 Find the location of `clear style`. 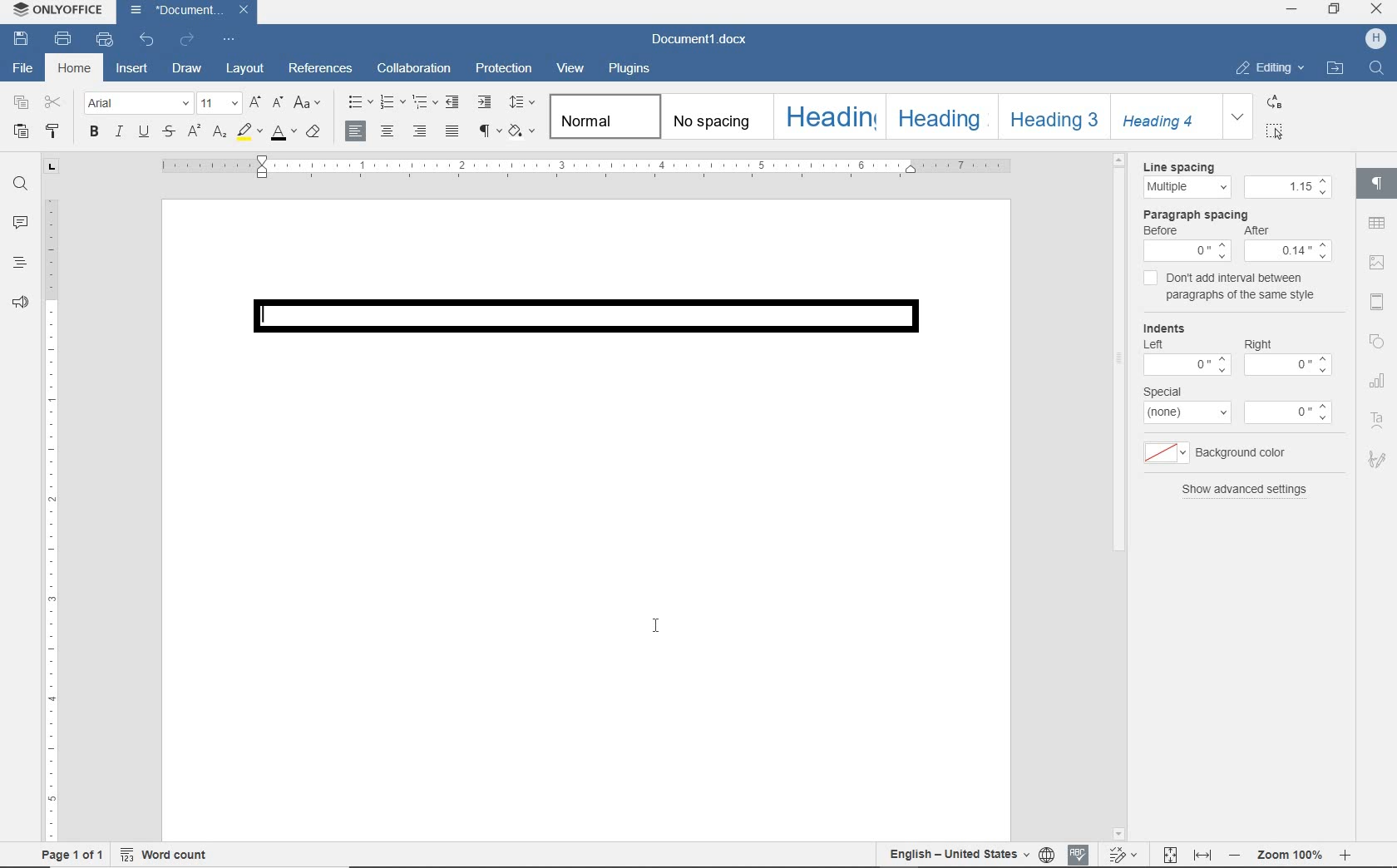

clear style is located at coordinates (315, 133).